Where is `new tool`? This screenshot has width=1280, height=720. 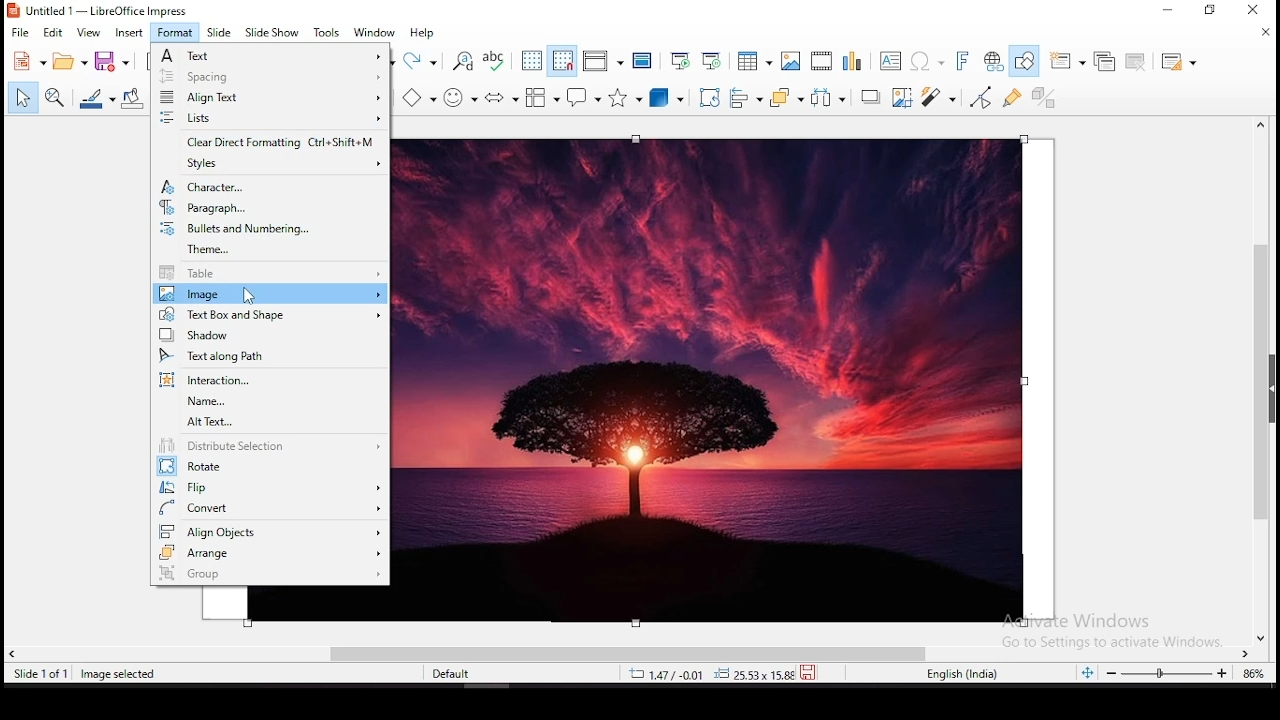 new tool is located at coordinates (28, 64).